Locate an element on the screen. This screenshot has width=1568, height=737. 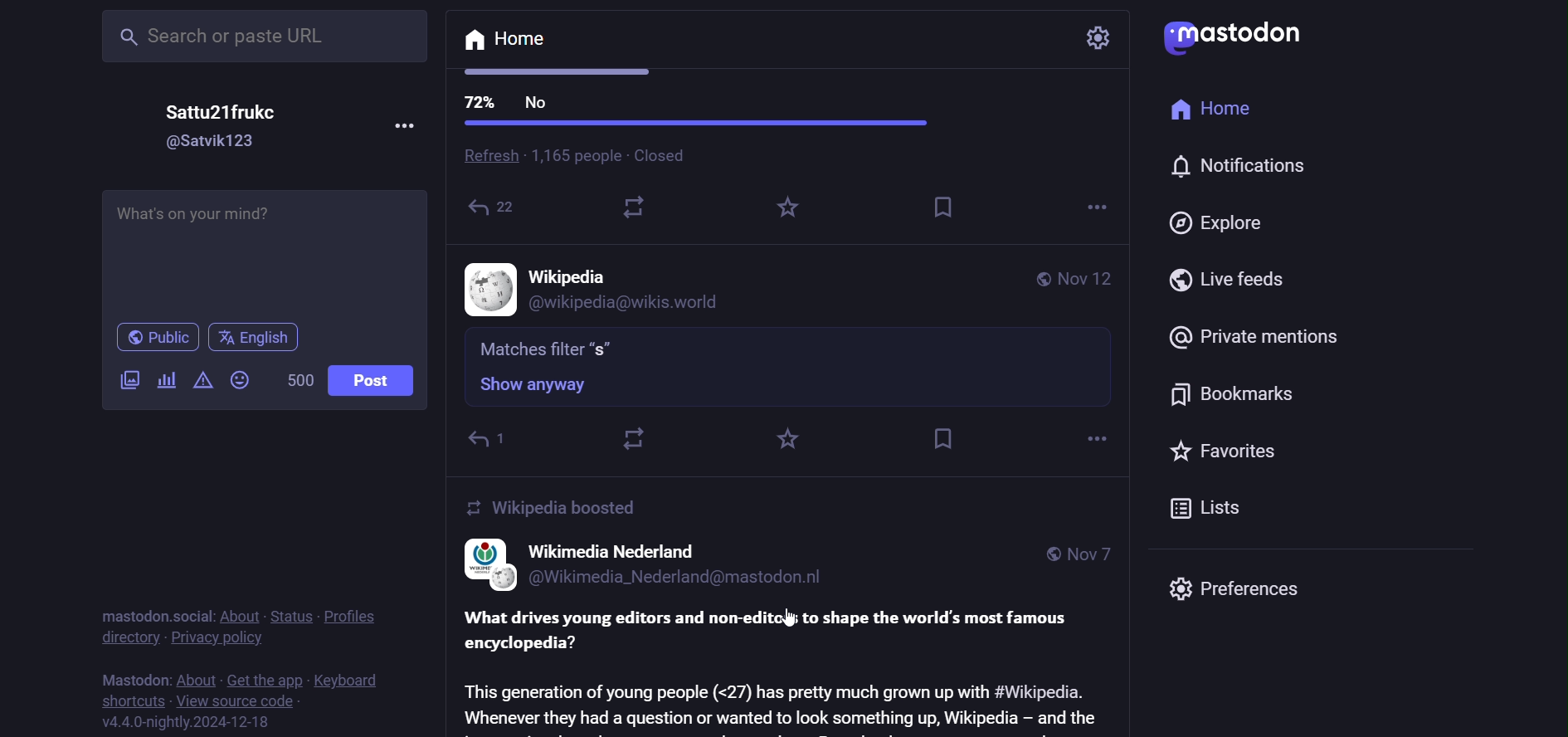
Shared is located at coordinates (496, 211).